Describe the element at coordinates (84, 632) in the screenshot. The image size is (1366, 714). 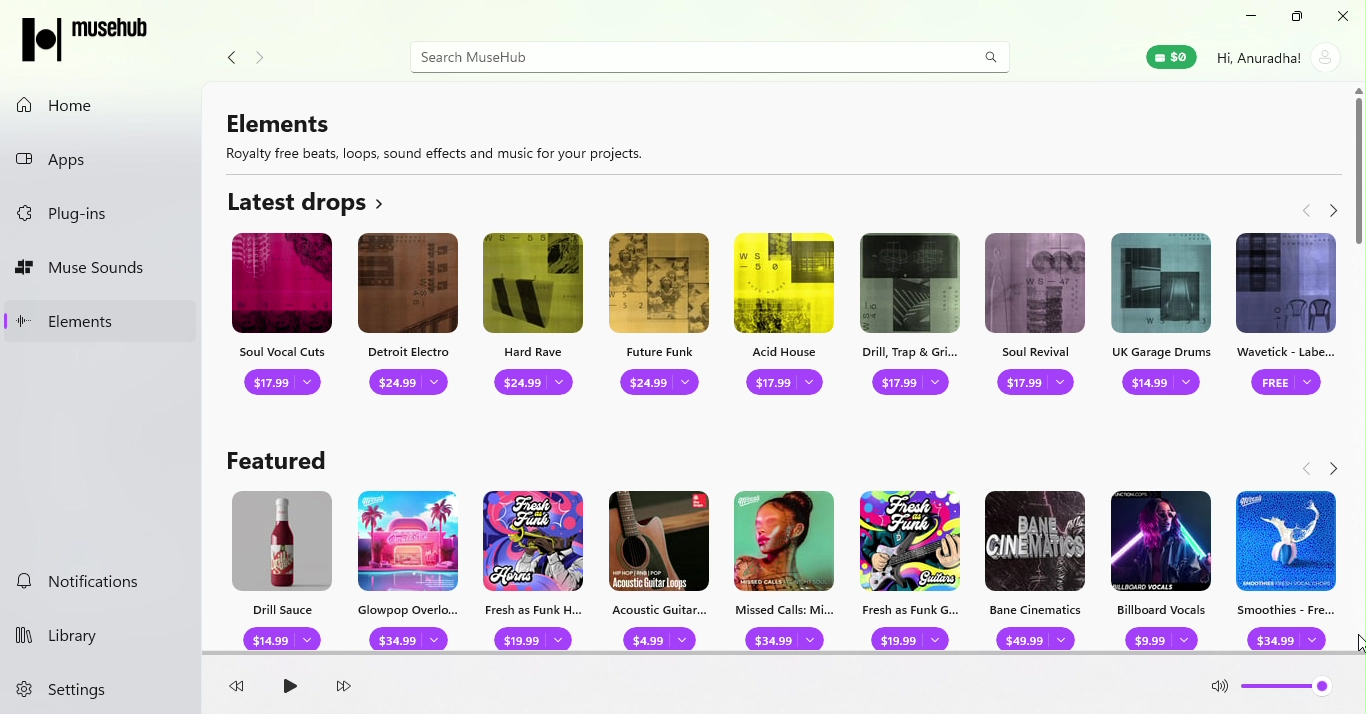
I see `Library` at that location.